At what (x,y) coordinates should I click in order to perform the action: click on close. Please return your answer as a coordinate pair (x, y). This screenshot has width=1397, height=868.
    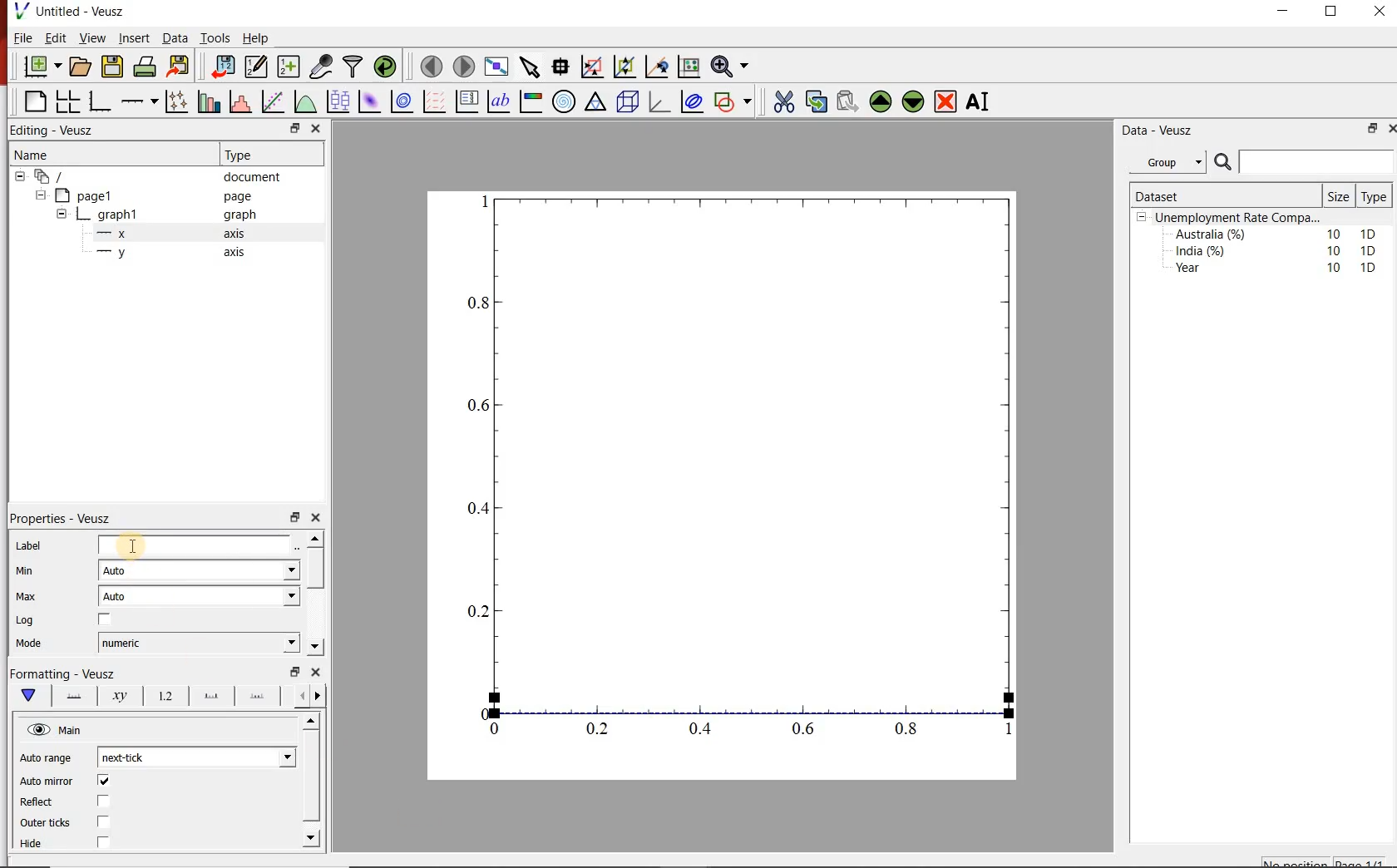
    Looking at the image, I should click on (1378, 15).